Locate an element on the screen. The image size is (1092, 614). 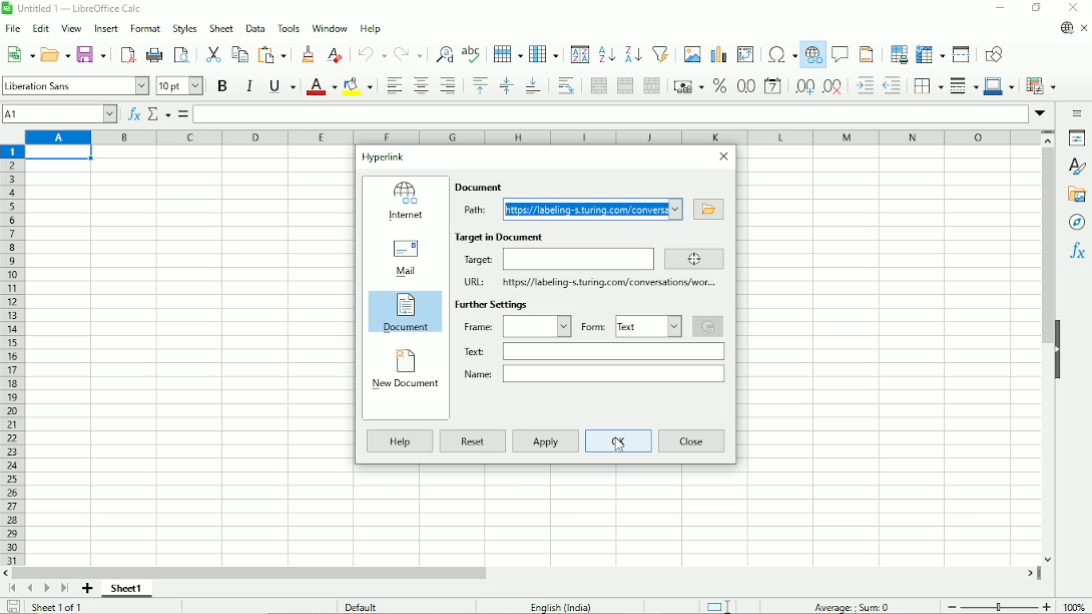
window is located at coordinates (330, 29).